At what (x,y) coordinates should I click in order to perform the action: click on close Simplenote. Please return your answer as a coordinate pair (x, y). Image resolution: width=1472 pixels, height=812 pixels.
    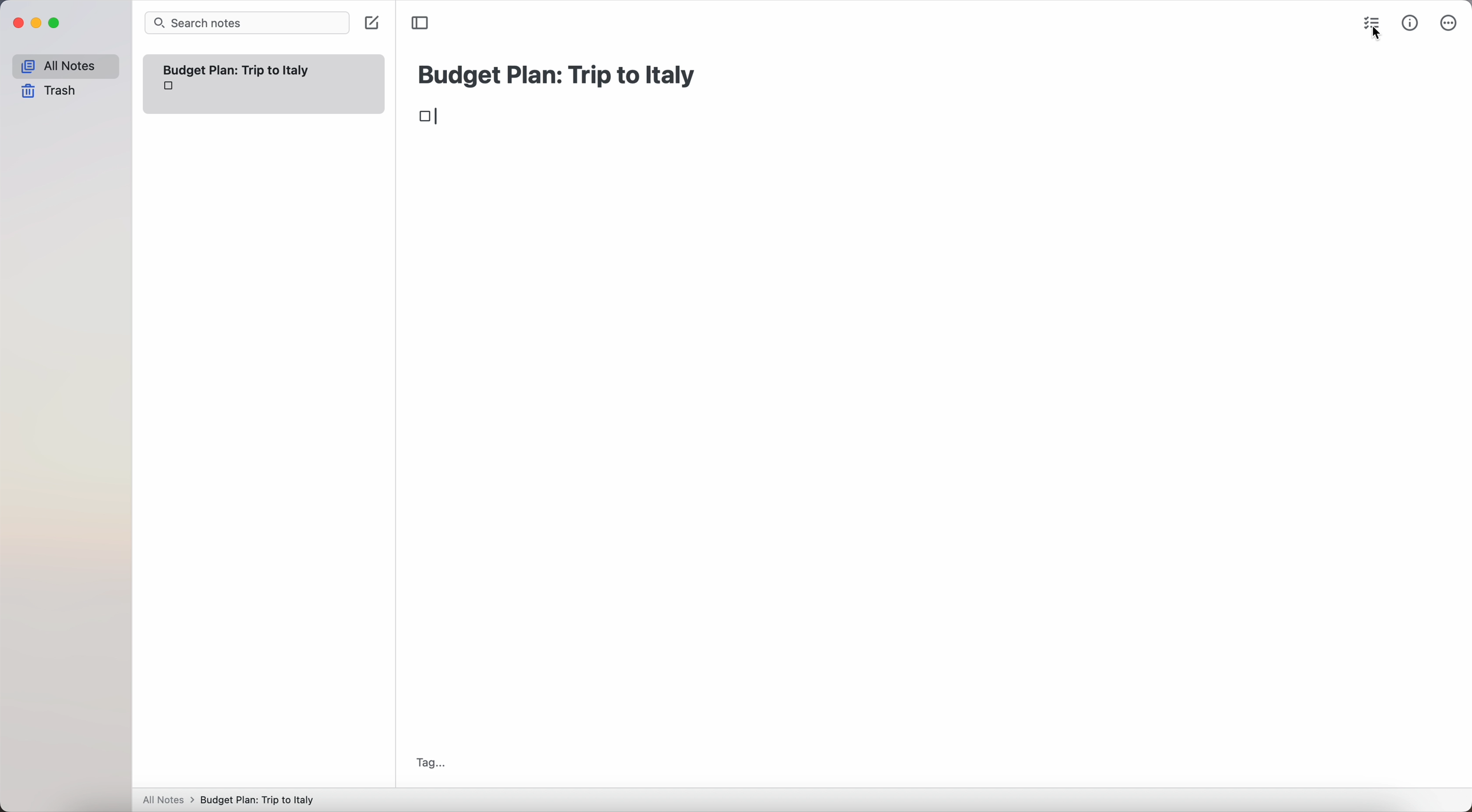
    Looking at the image, I should click on (18, 23).